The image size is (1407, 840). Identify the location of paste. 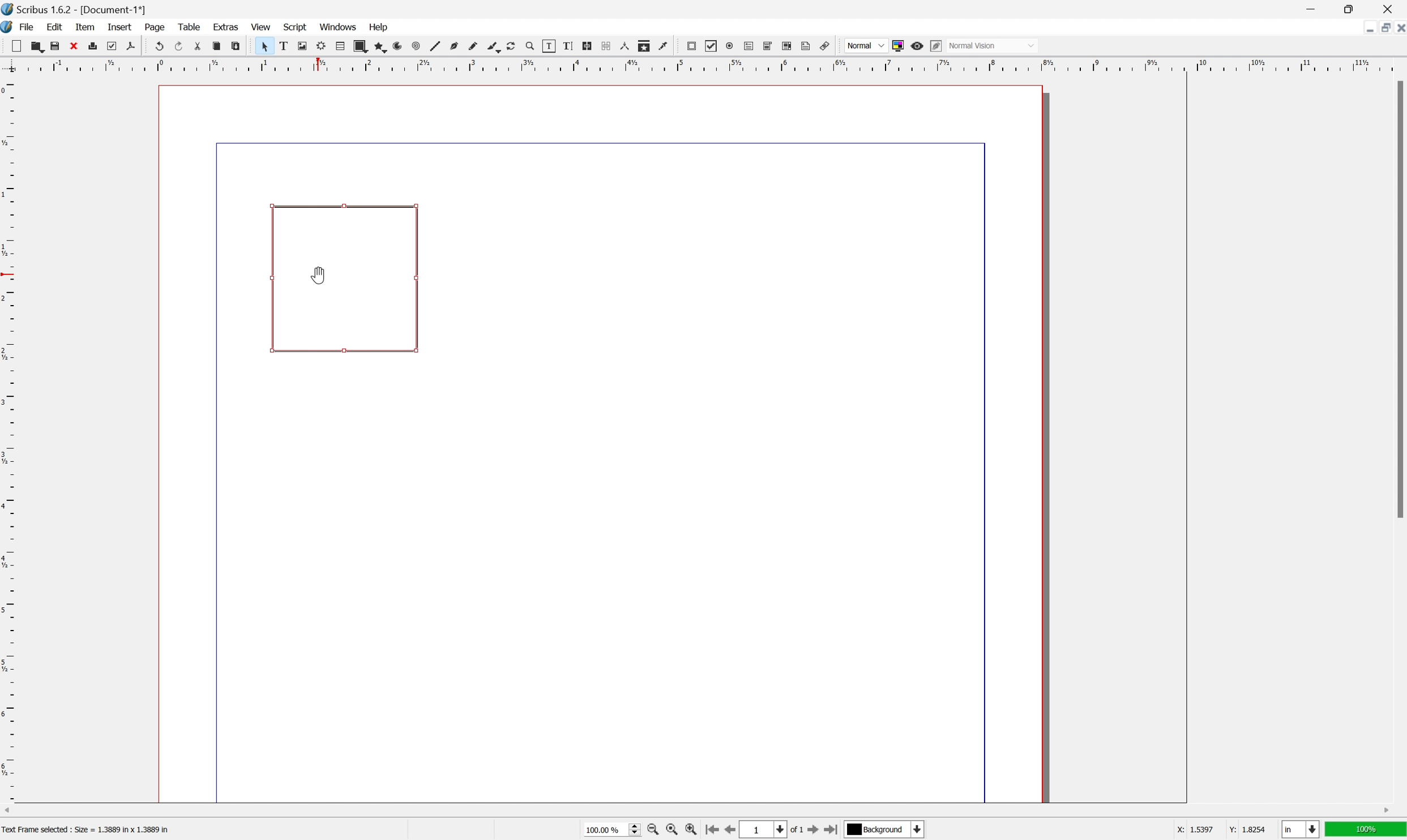
(236, 46).